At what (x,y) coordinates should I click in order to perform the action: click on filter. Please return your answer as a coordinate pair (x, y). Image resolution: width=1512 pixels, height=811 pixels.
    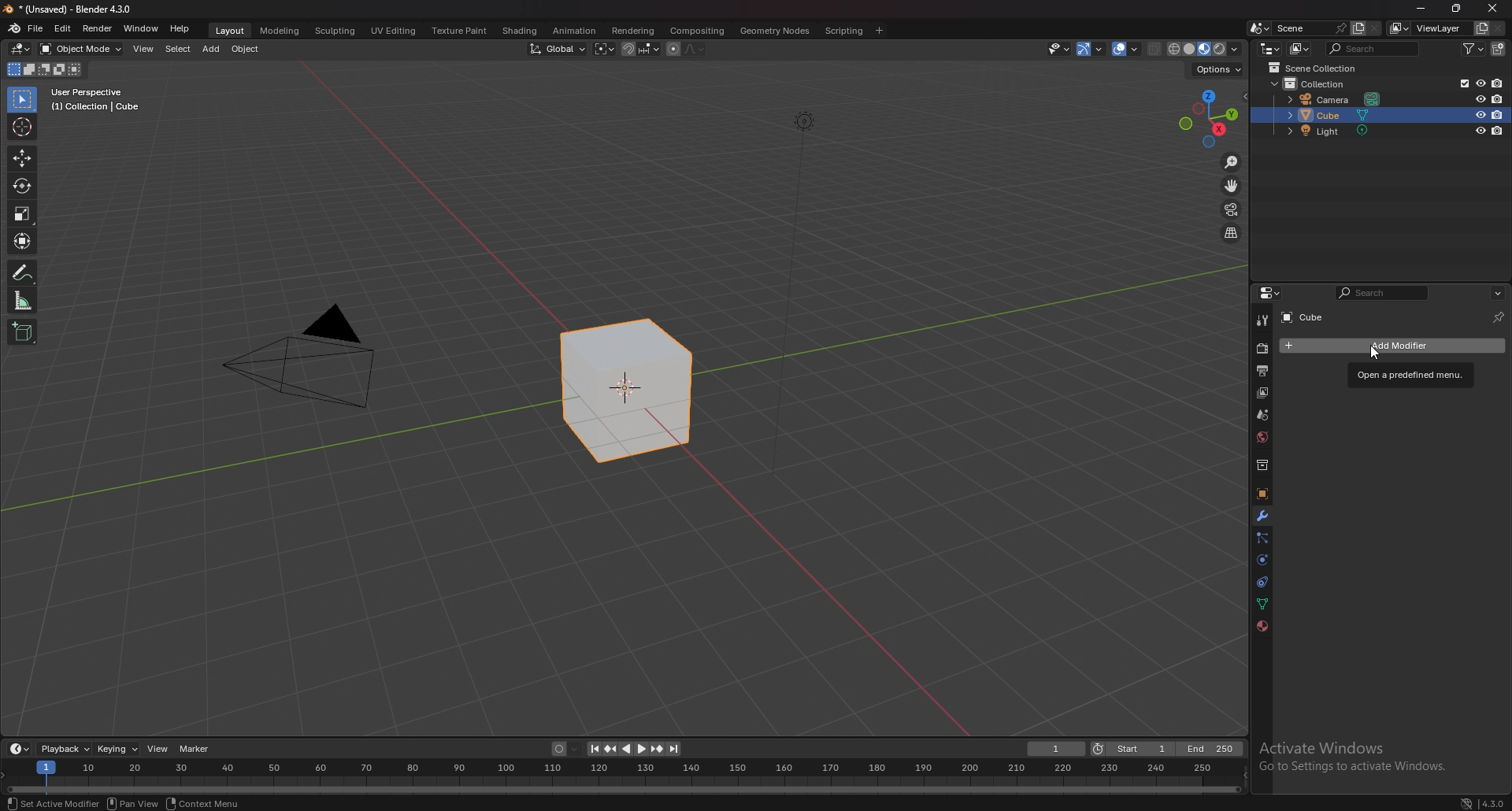
    Looking at the image, I should click on (1476, 48).